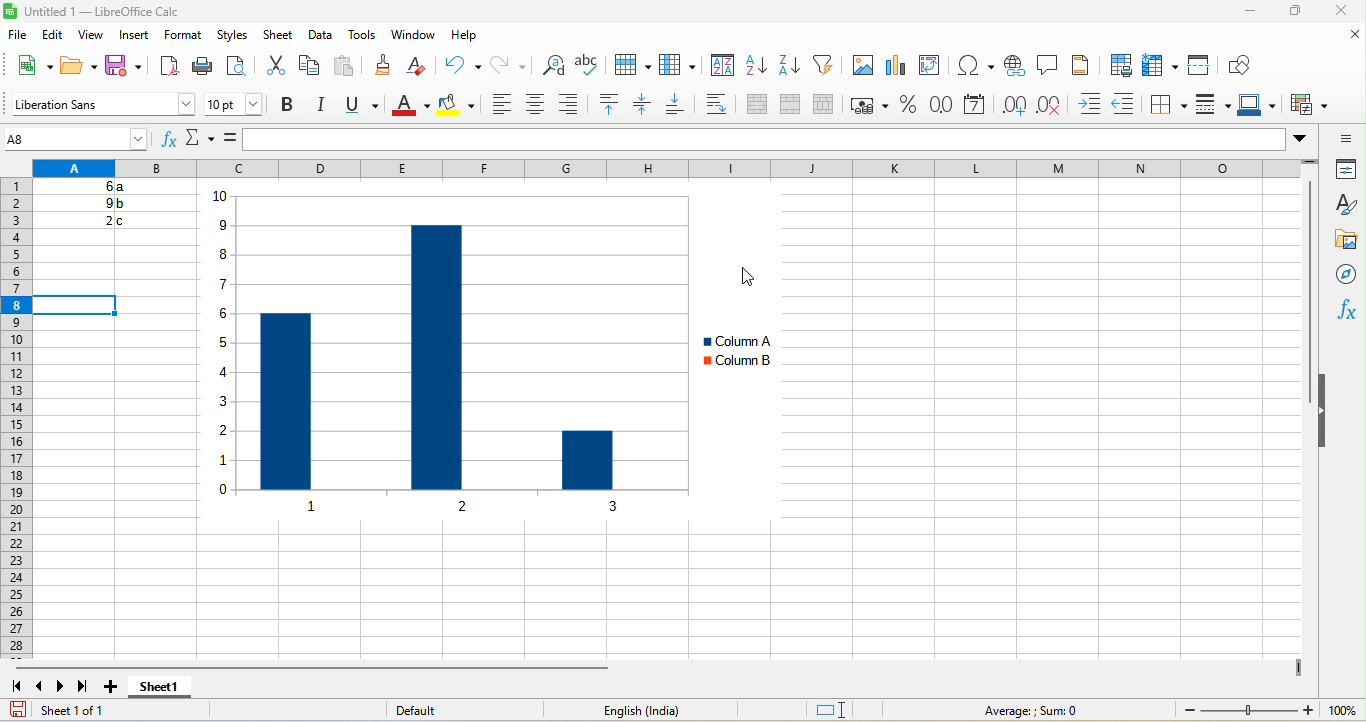 Image resolution: width=1366 pixels, height=722 pixels. What do you see at coordinates (934, 69) in the screenshot?
I see `edit pivot table` at bounding box center [934, 69].